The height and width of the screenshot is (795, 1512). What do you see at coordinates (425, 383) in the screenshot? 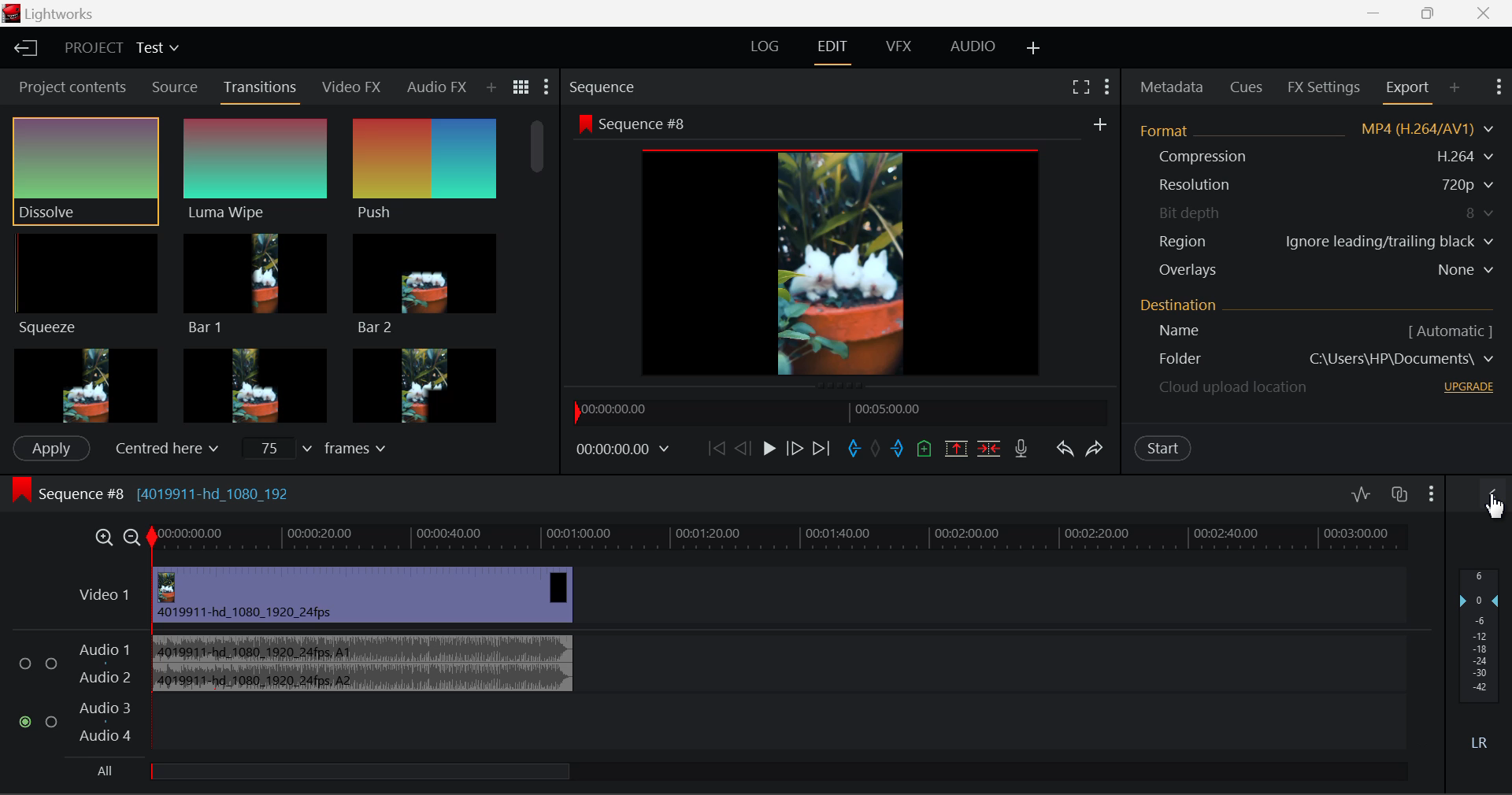
I see `Box 3` at bounding box center [425, 383].